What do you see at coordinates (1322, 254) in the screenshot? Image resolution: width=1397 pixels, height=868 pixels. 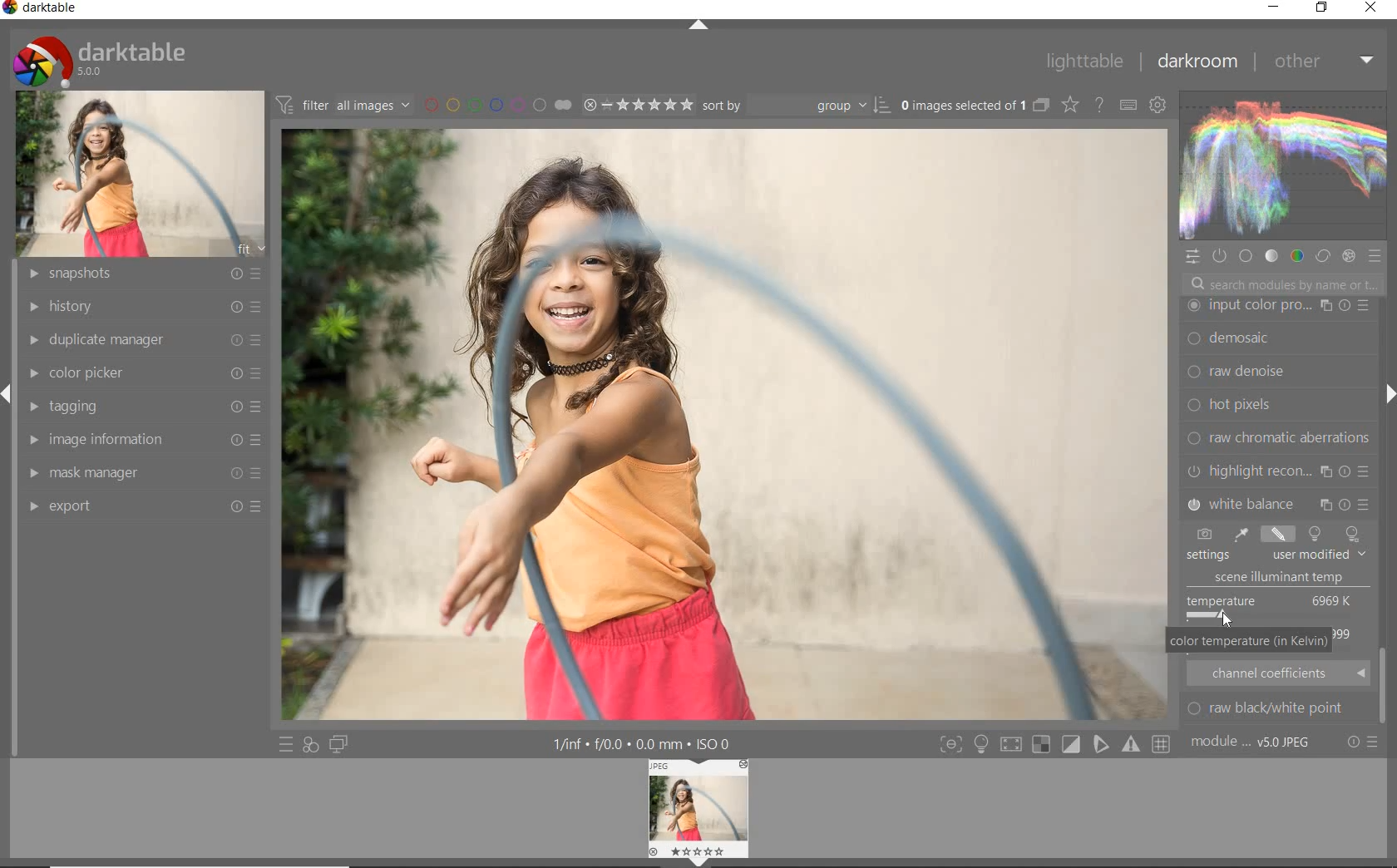 I see `correct` at bounding box center [1322, 254].